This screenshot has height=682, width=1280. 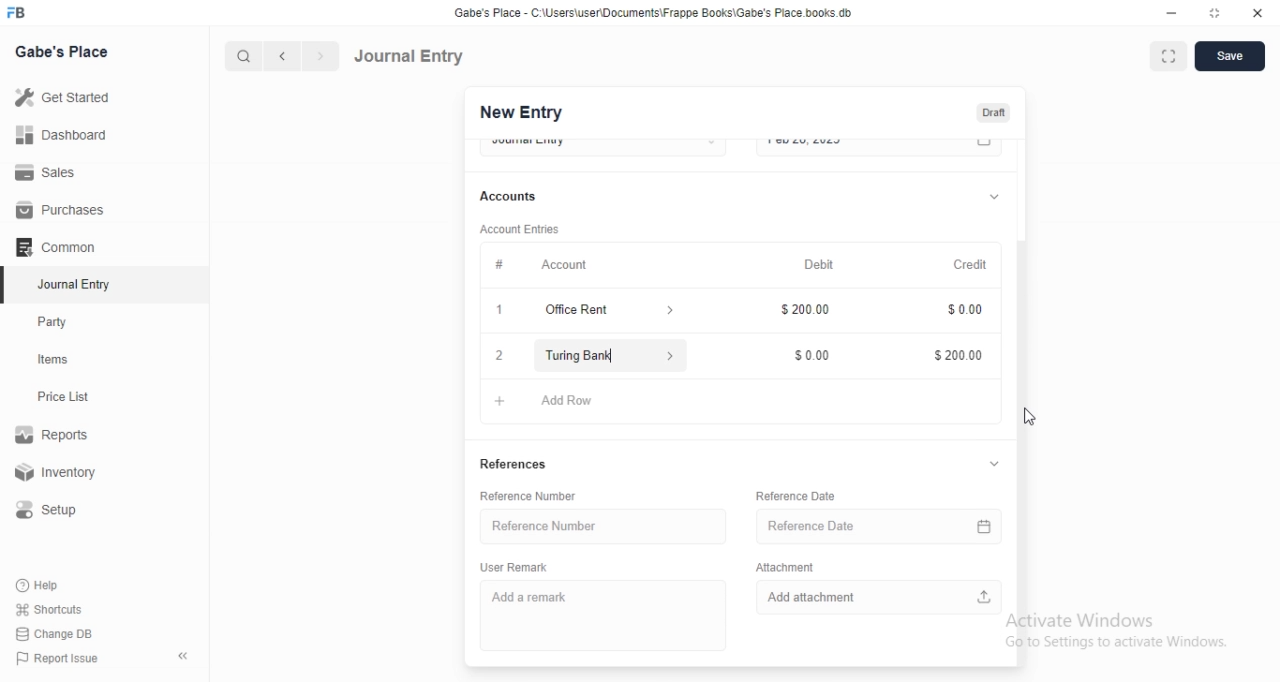 I want to click on fullscreen, so click(x=1166, y=57).